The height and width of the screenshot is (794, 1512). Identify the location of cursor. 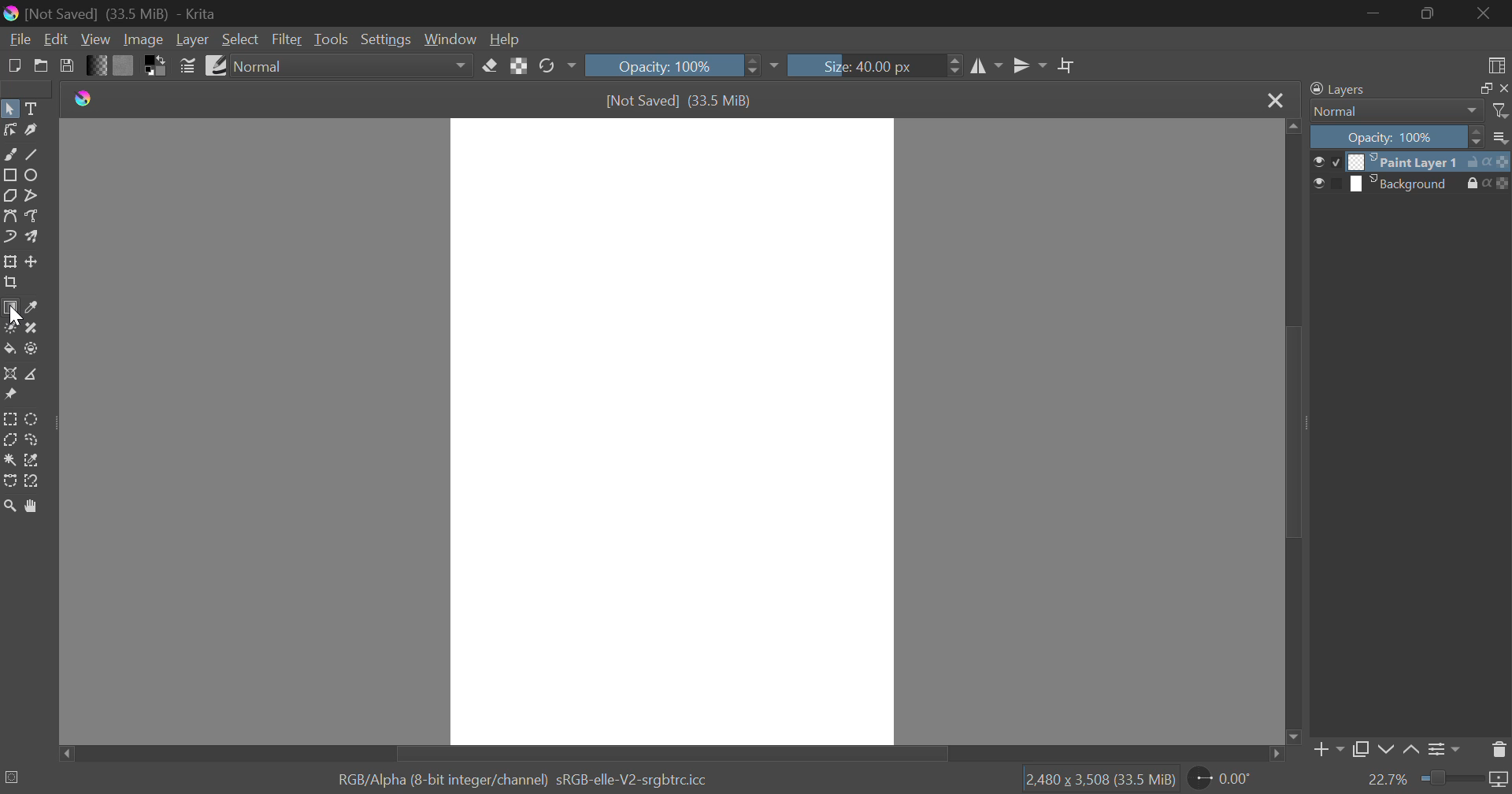
(17, 314).